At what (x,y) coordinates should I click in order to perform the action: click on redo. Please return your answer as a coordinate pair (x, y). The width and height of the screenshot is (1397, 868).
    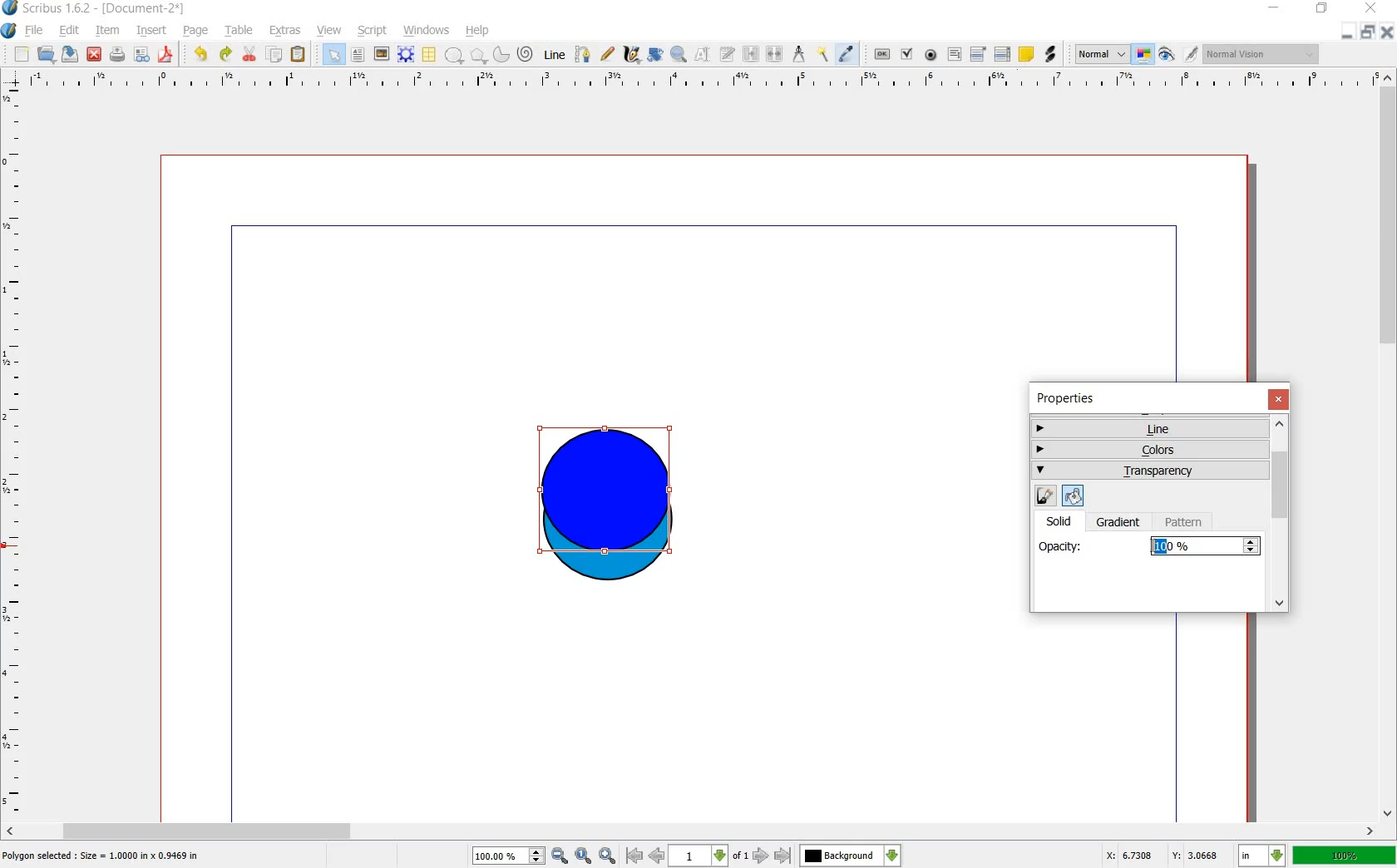
    Looking at the image, I should click on (225, 55).